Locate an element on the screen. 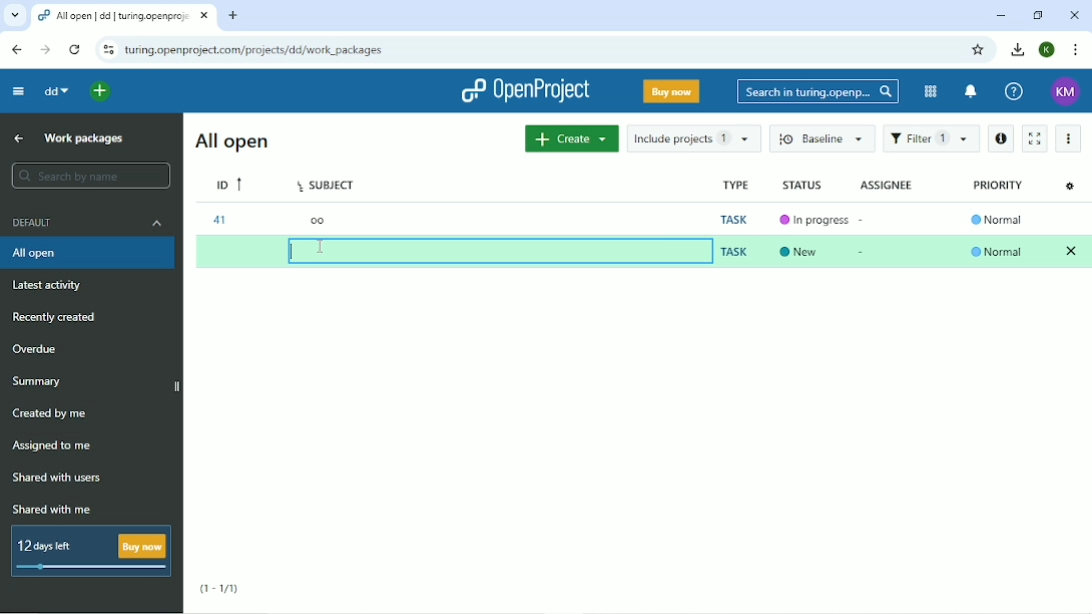  Normal is located at coordinates (998, 251).